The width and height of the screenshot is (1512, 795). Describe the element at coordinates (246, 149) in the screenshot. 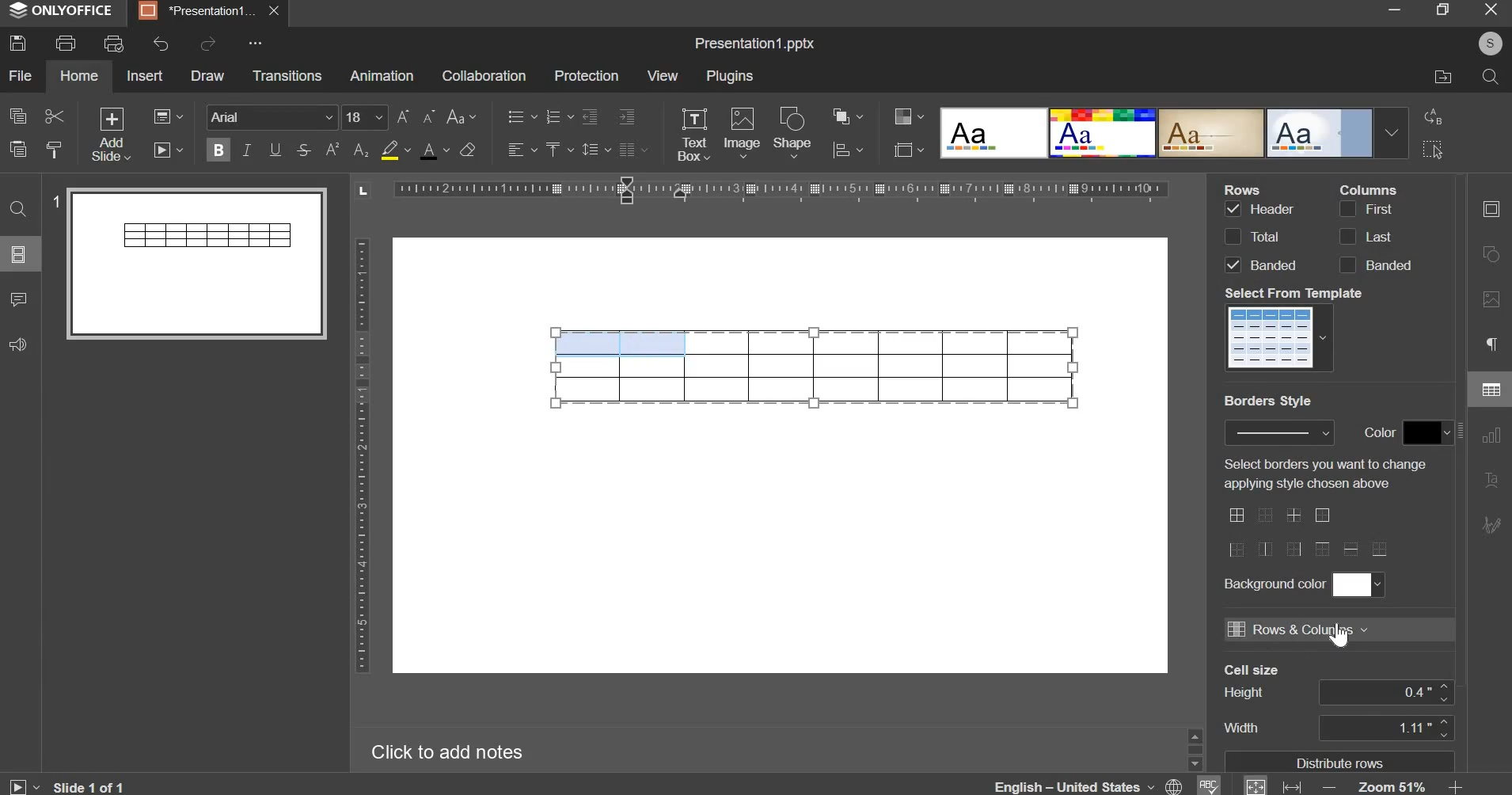

I see `italics` at that location.